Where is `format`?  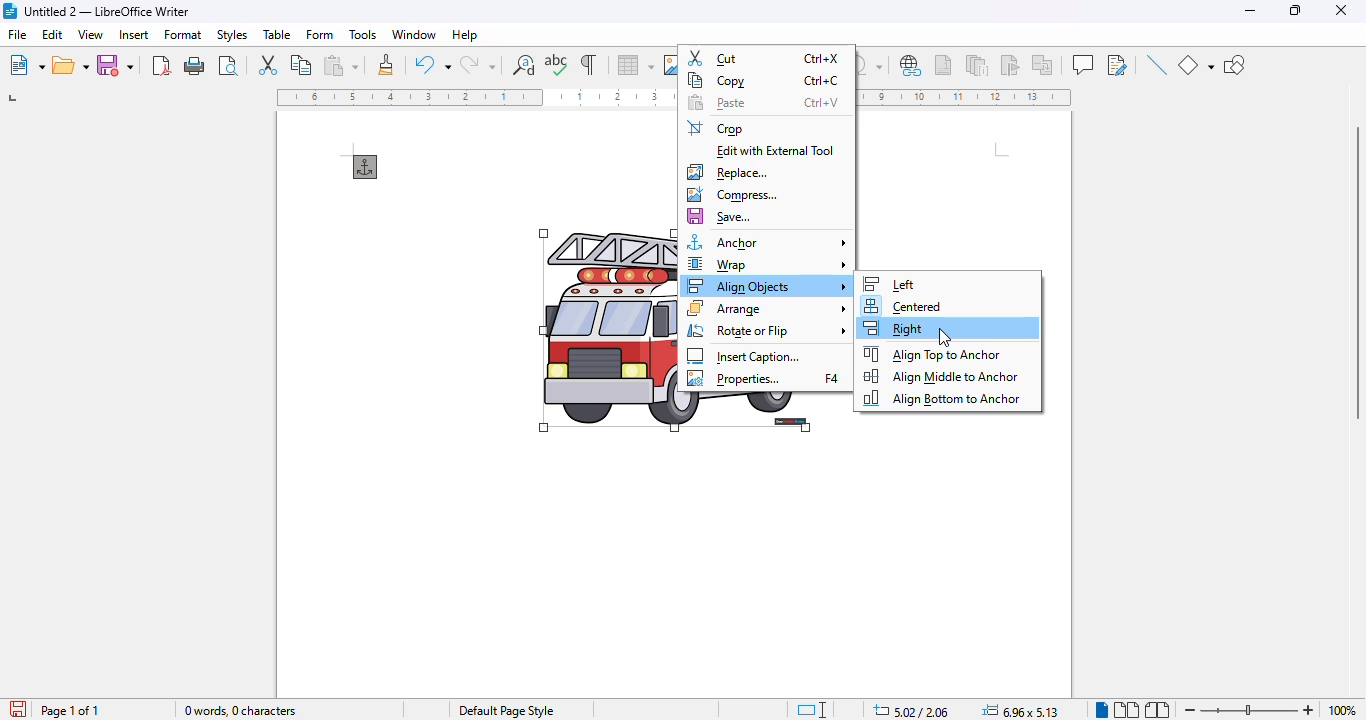 format is located at coordinates (184, 34).